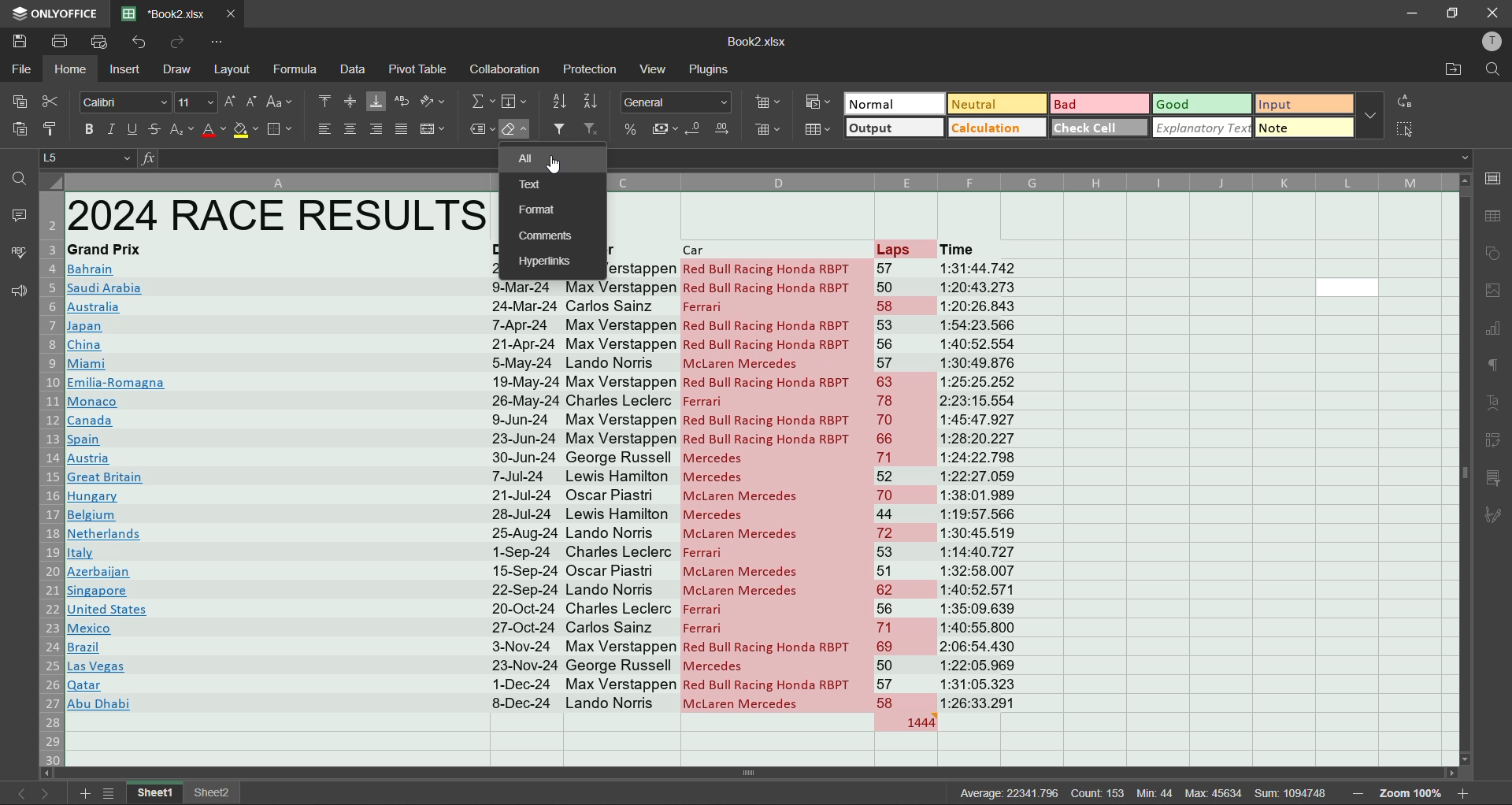 This screenshot has width=1512, height=805. What do you see at coordinates (324, 102) in the screenshot?
I see `align top` at bounding box center [324, 102].